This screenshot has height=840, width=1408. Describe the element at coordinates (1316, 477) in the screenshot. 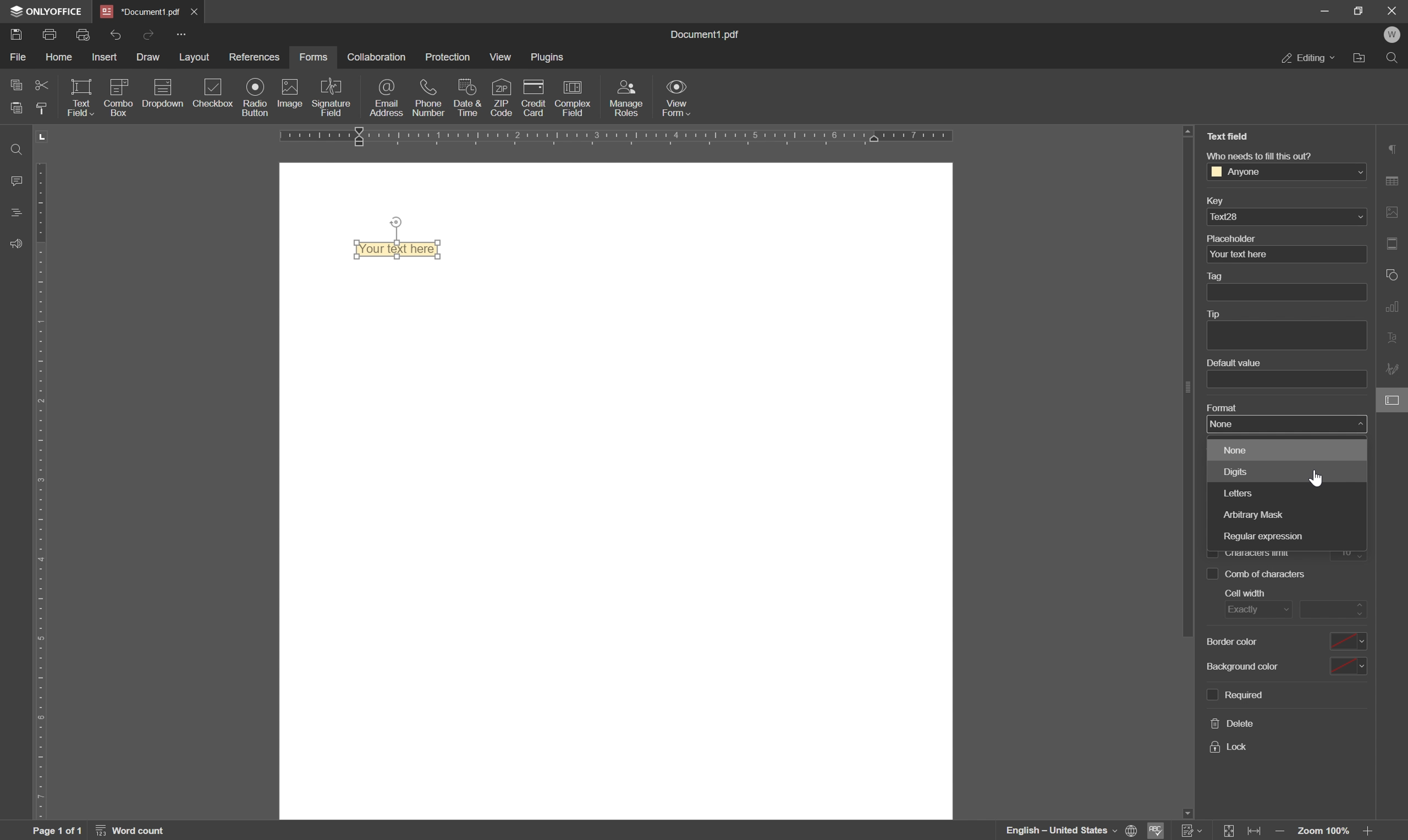

I see `cursor` at that location.